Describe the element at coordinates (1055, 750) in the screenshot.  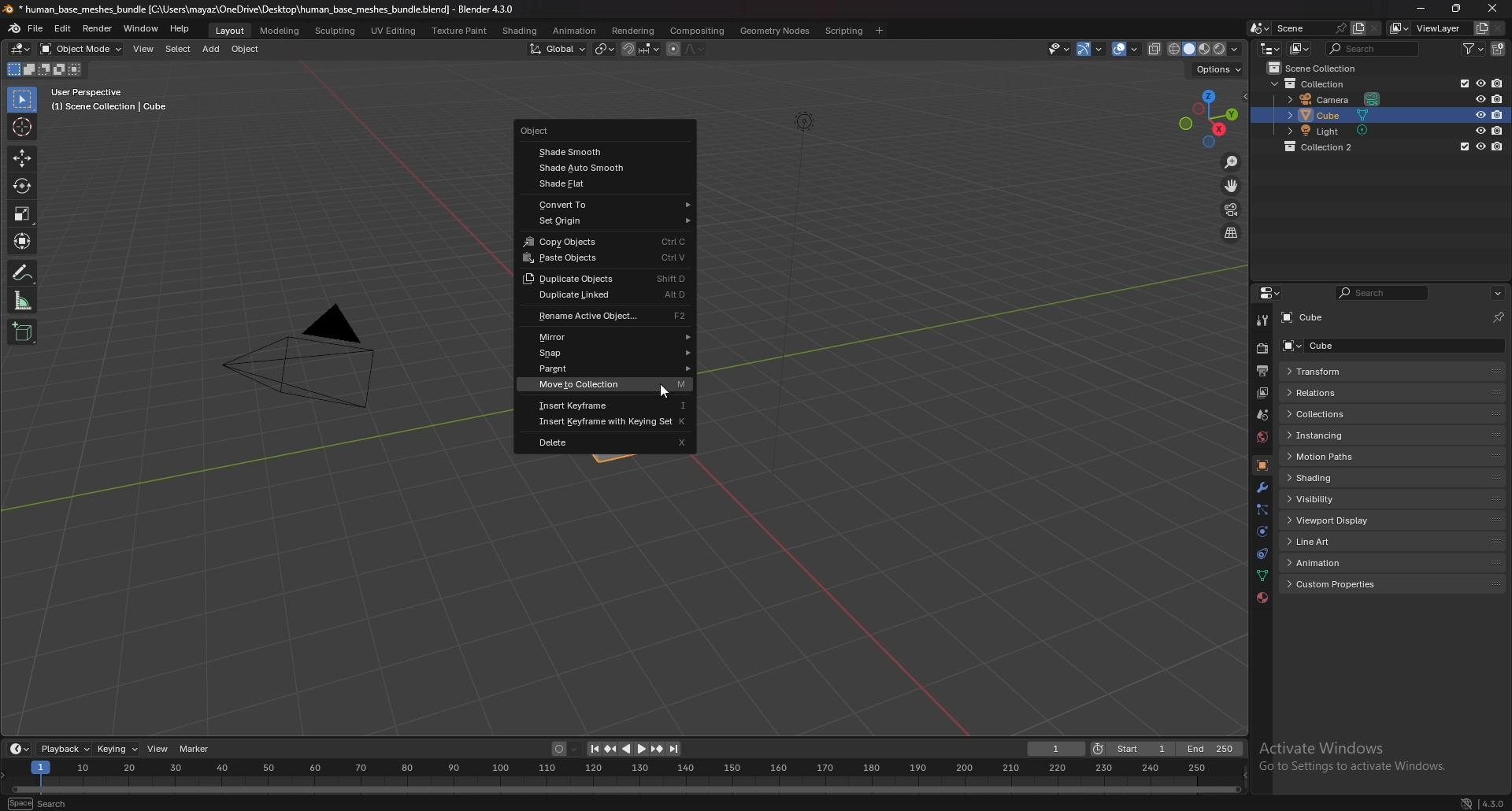
I see `current frame` at that location.